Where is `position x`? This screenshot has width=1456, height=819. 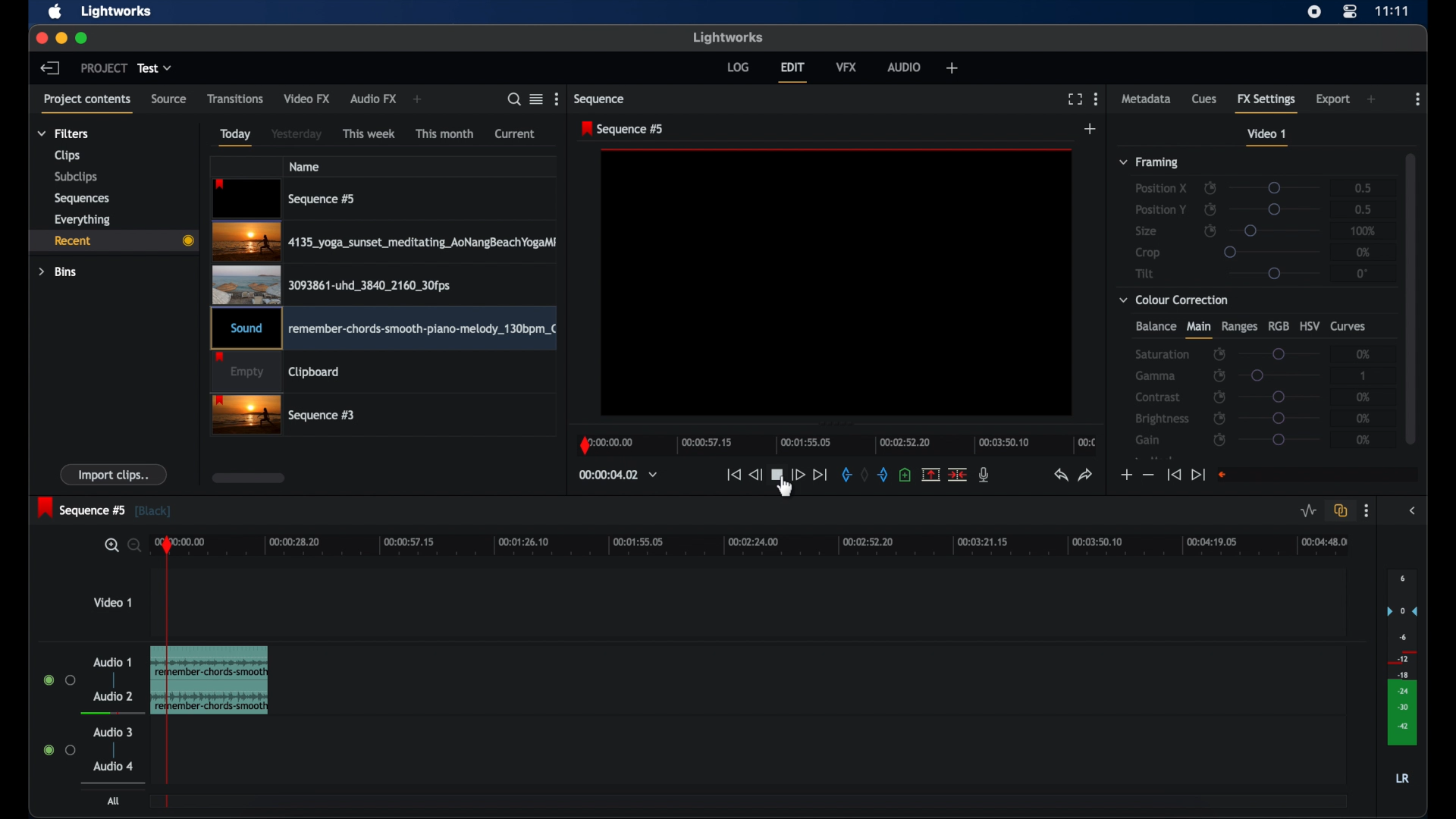 position x is located at coordinates (1161, 189).